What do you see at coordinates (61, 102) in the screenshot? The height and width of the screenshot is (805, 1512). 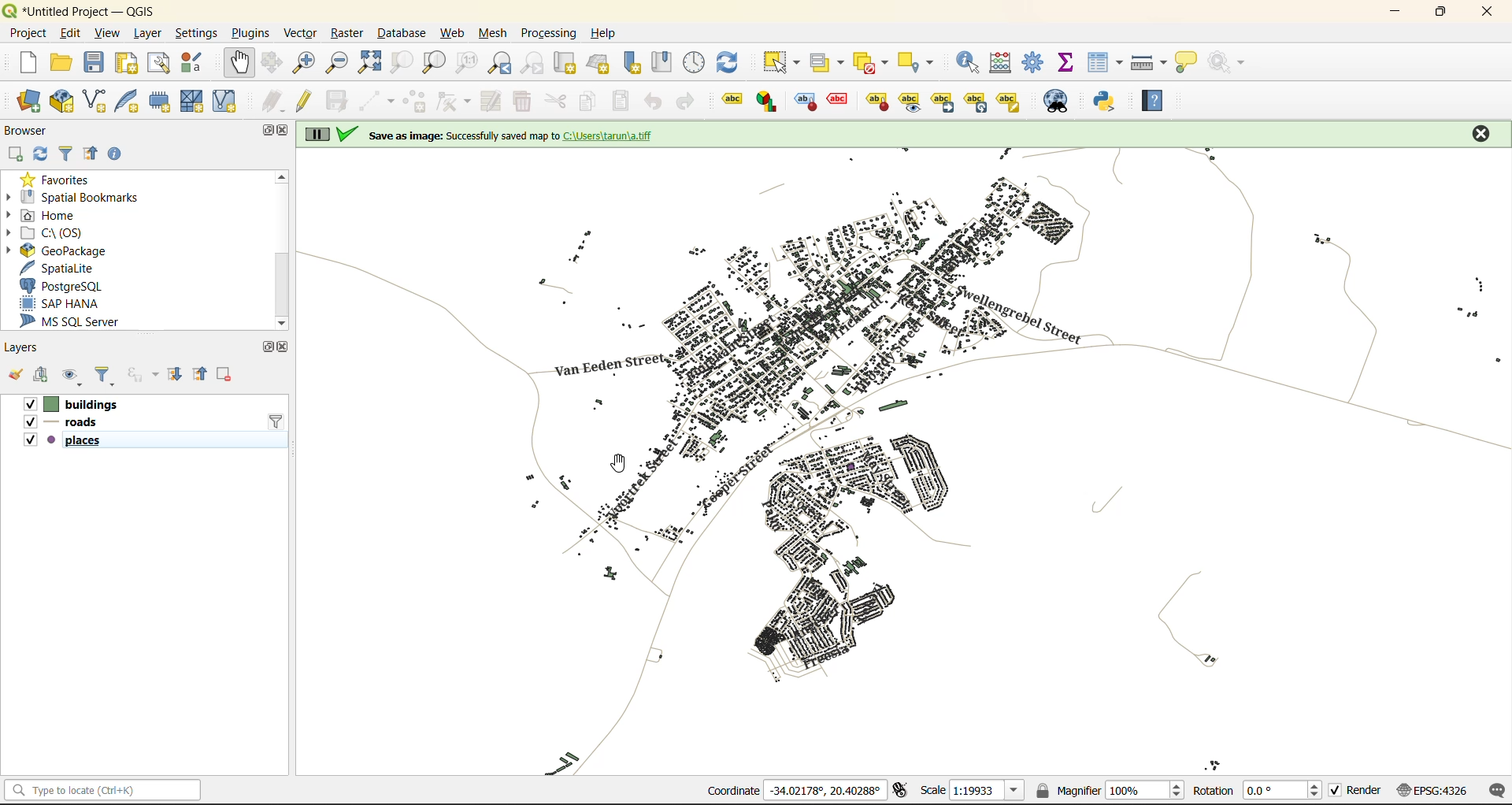 I see `new geopackage` at bounding box center [61, 102].